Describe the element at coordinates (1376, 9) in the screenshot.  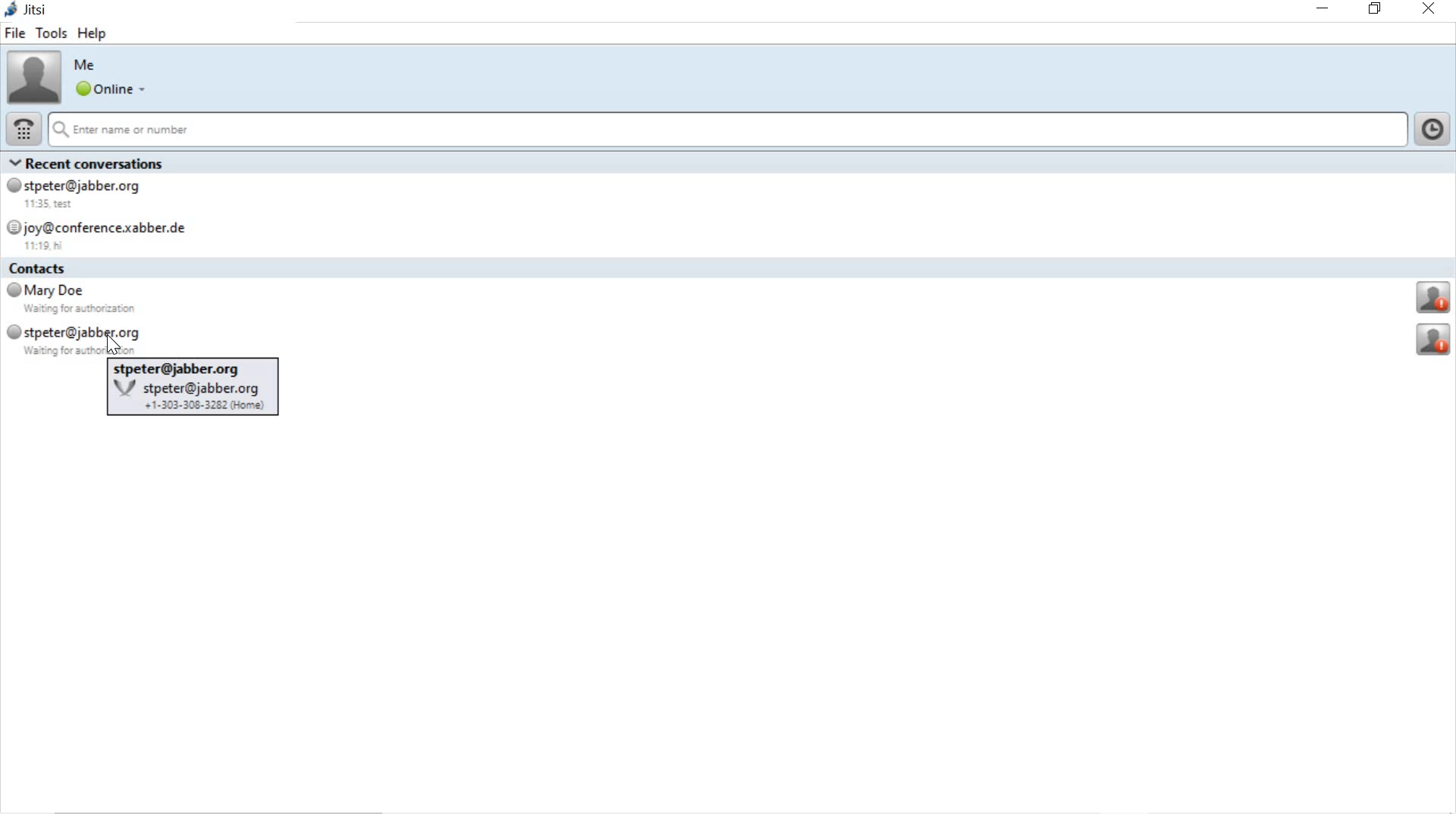
I see `restore down` at that location.